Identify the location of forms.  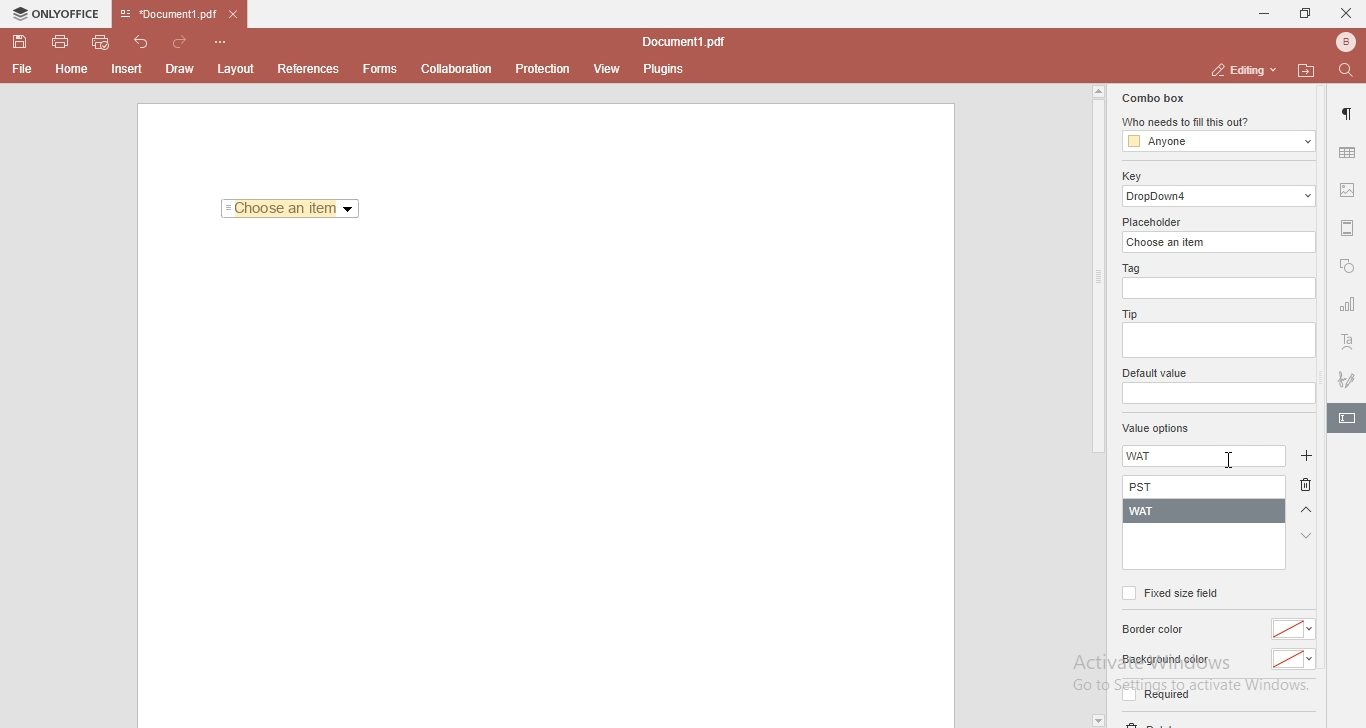
(380, 69).